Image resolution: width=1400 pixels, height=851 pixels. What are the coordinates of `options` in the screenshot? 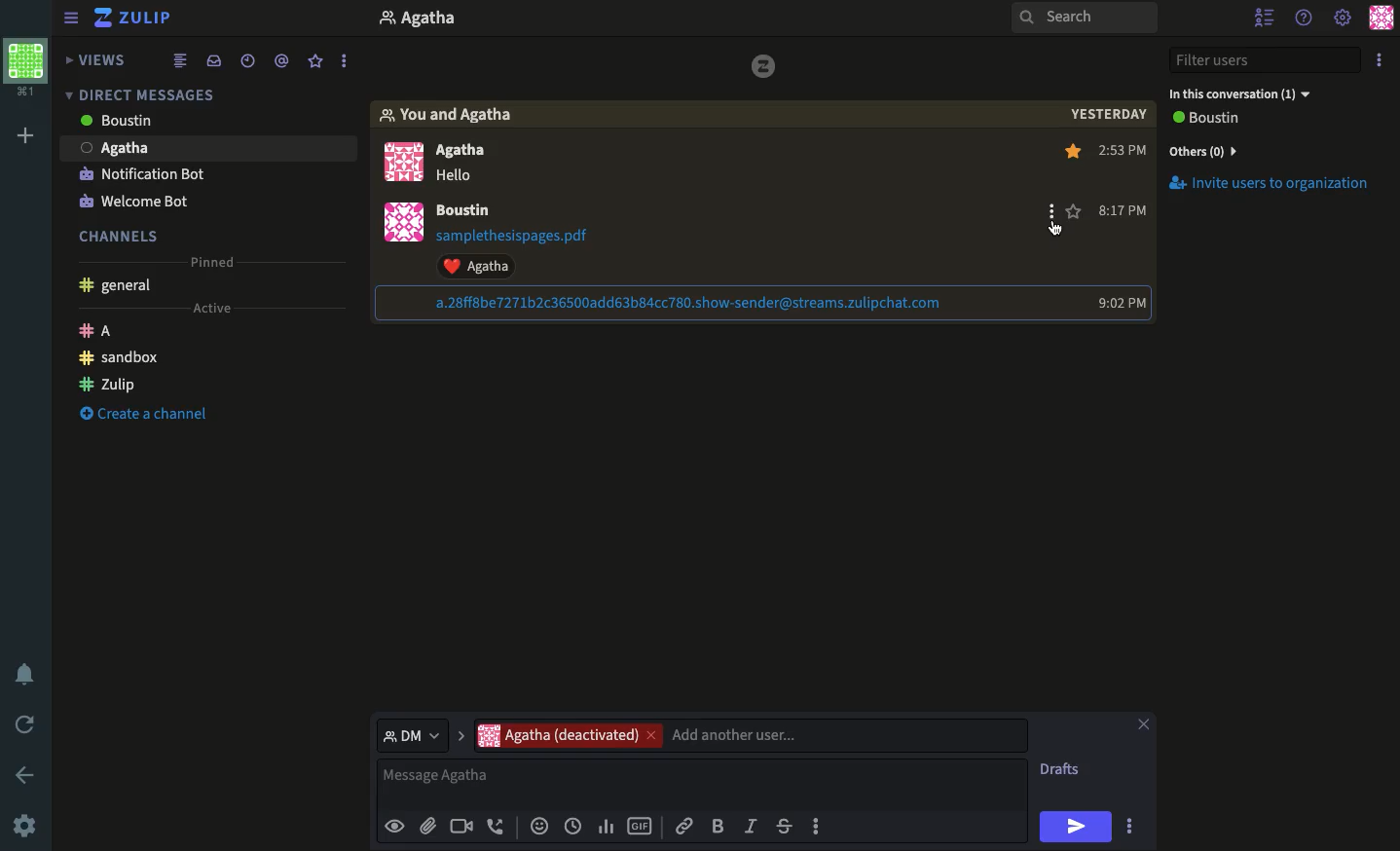 It's located at (818, 832).